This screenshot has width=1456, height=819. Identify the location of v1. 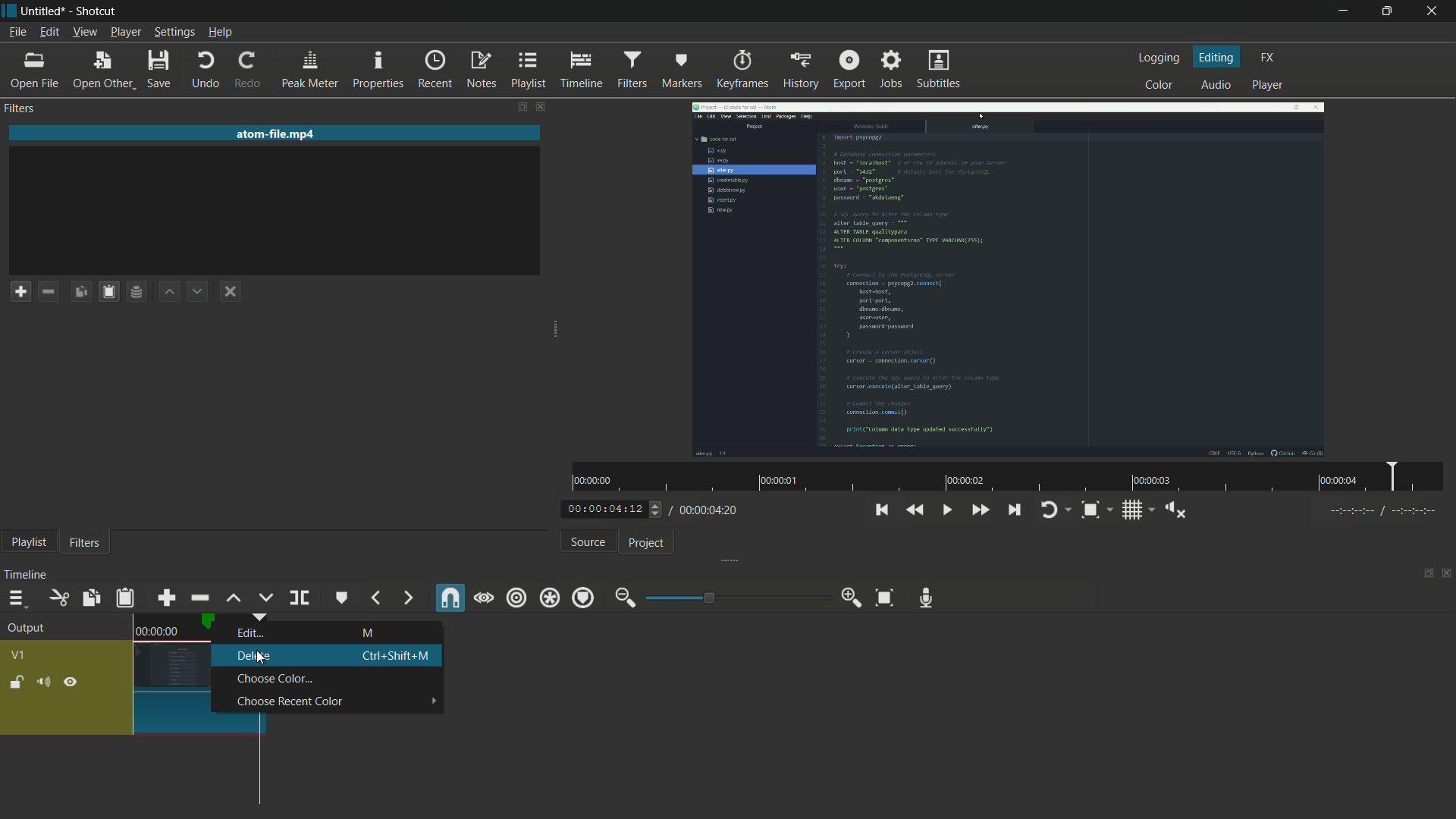
(19, 656).